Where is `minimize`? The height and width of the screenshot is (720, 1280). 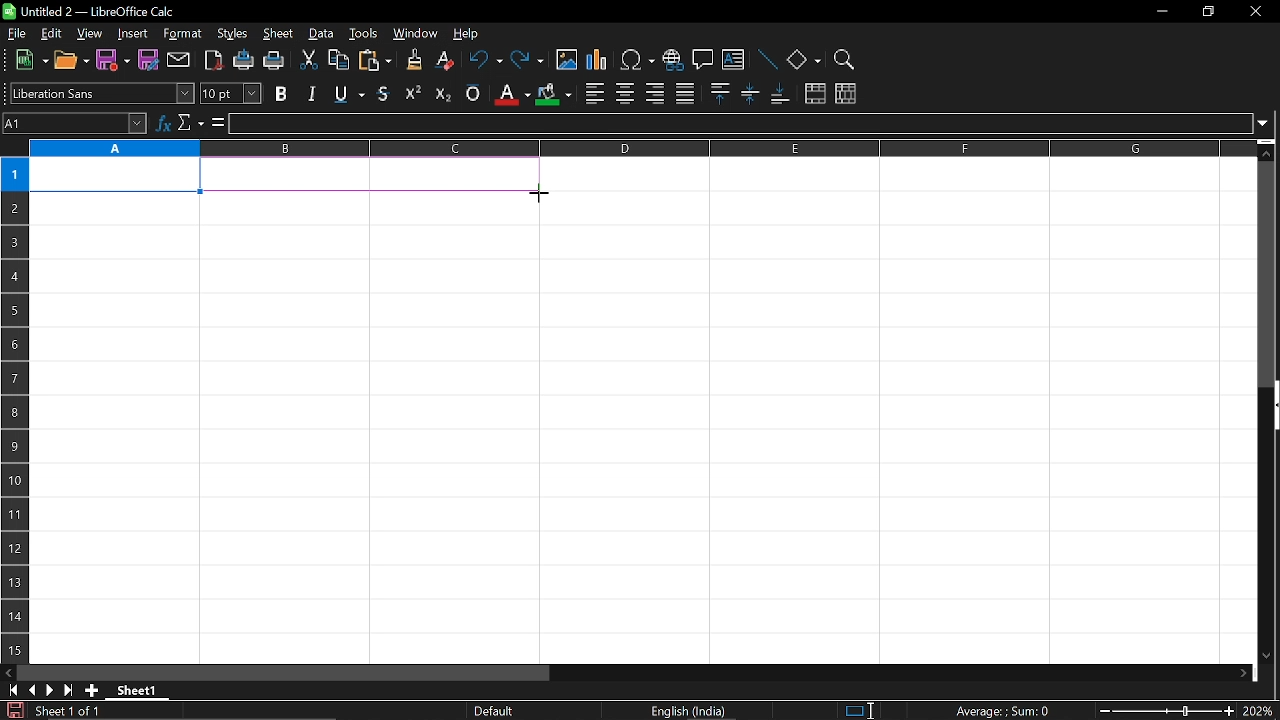 minimize is located at coordinates (1162, 10).